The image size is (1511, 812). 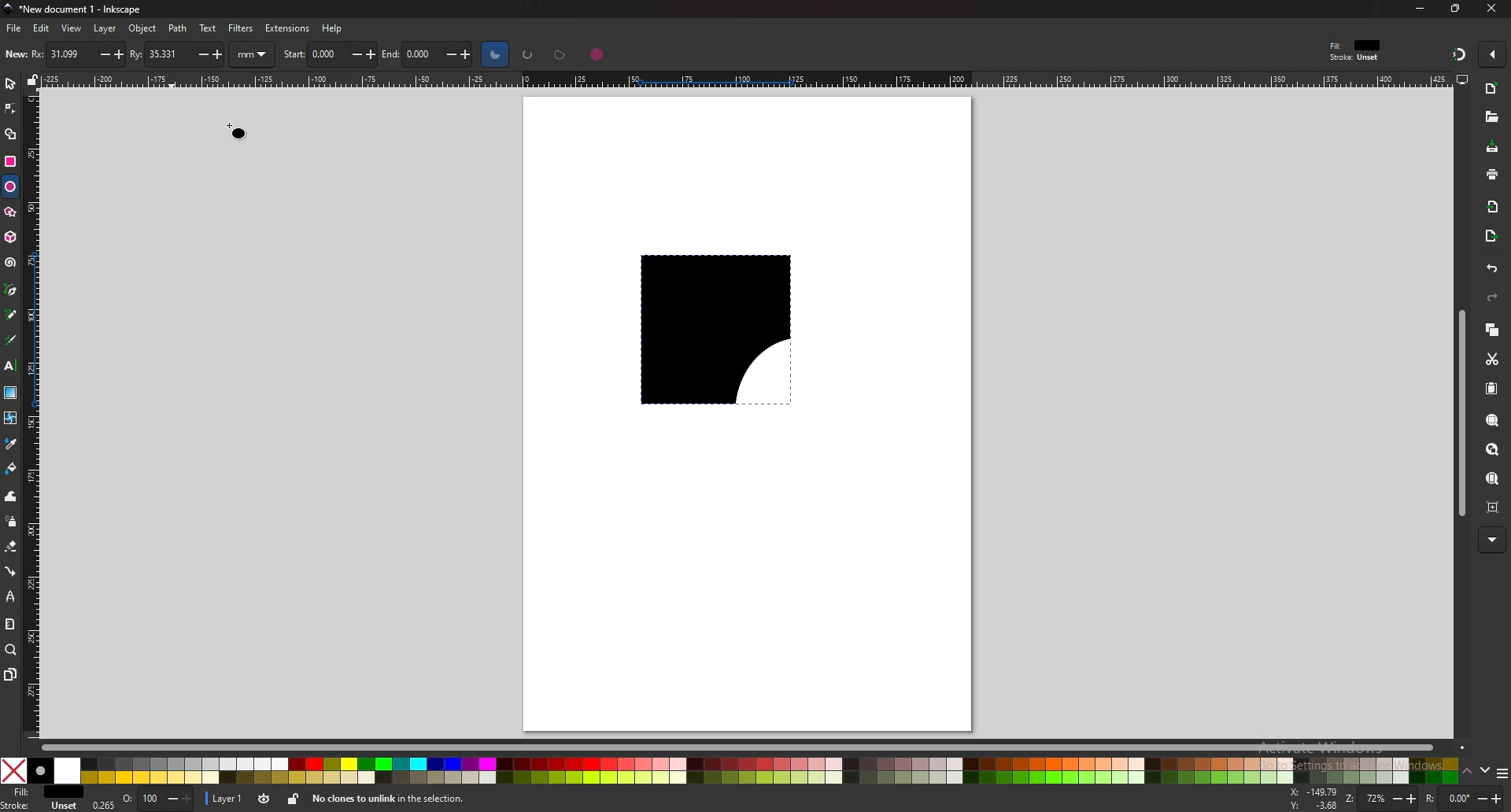 I want to click on enable snapping, so click(x=1492, y=54).